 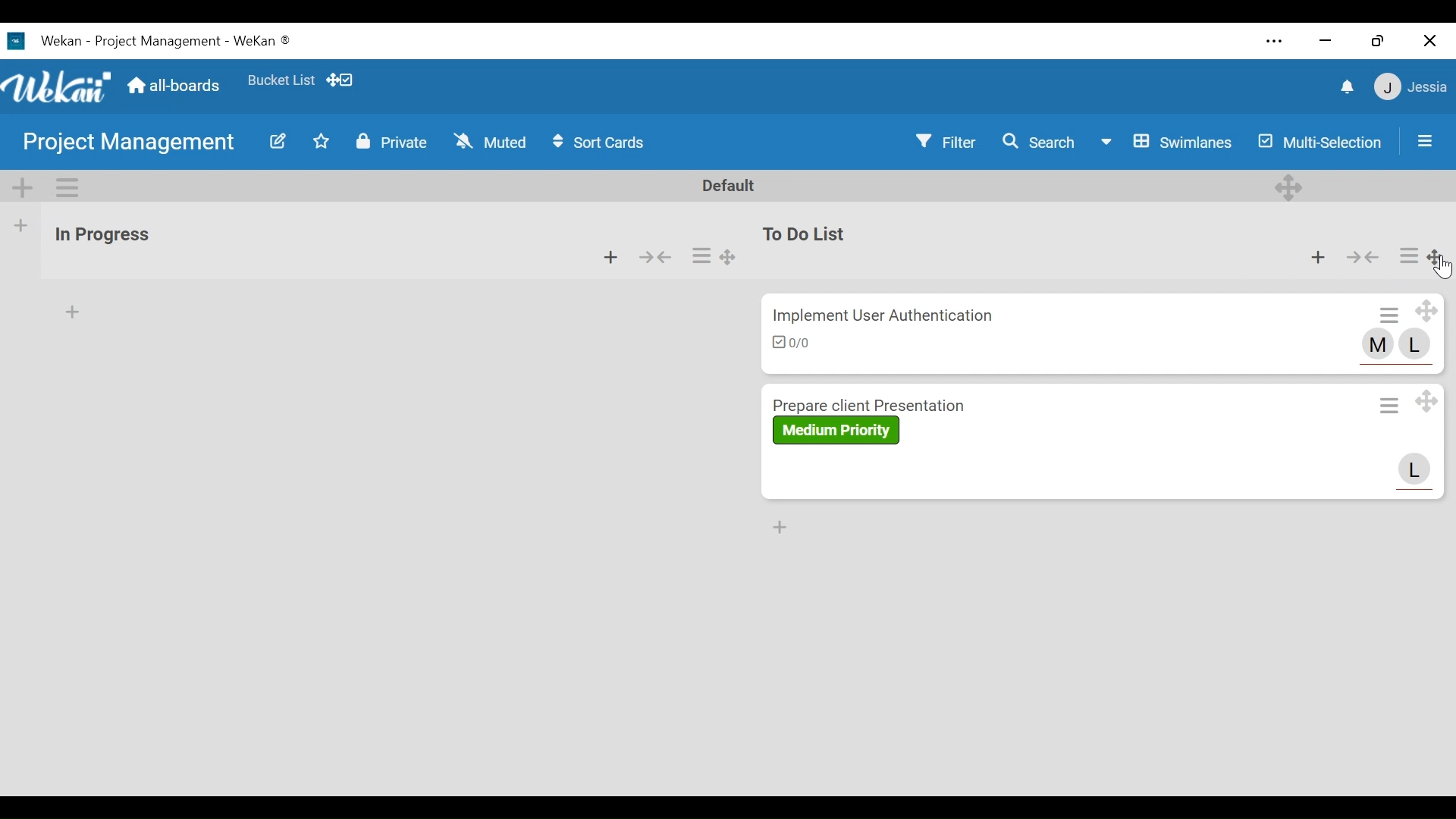 I want to click on Collapse, so click(x=1364, y=257).